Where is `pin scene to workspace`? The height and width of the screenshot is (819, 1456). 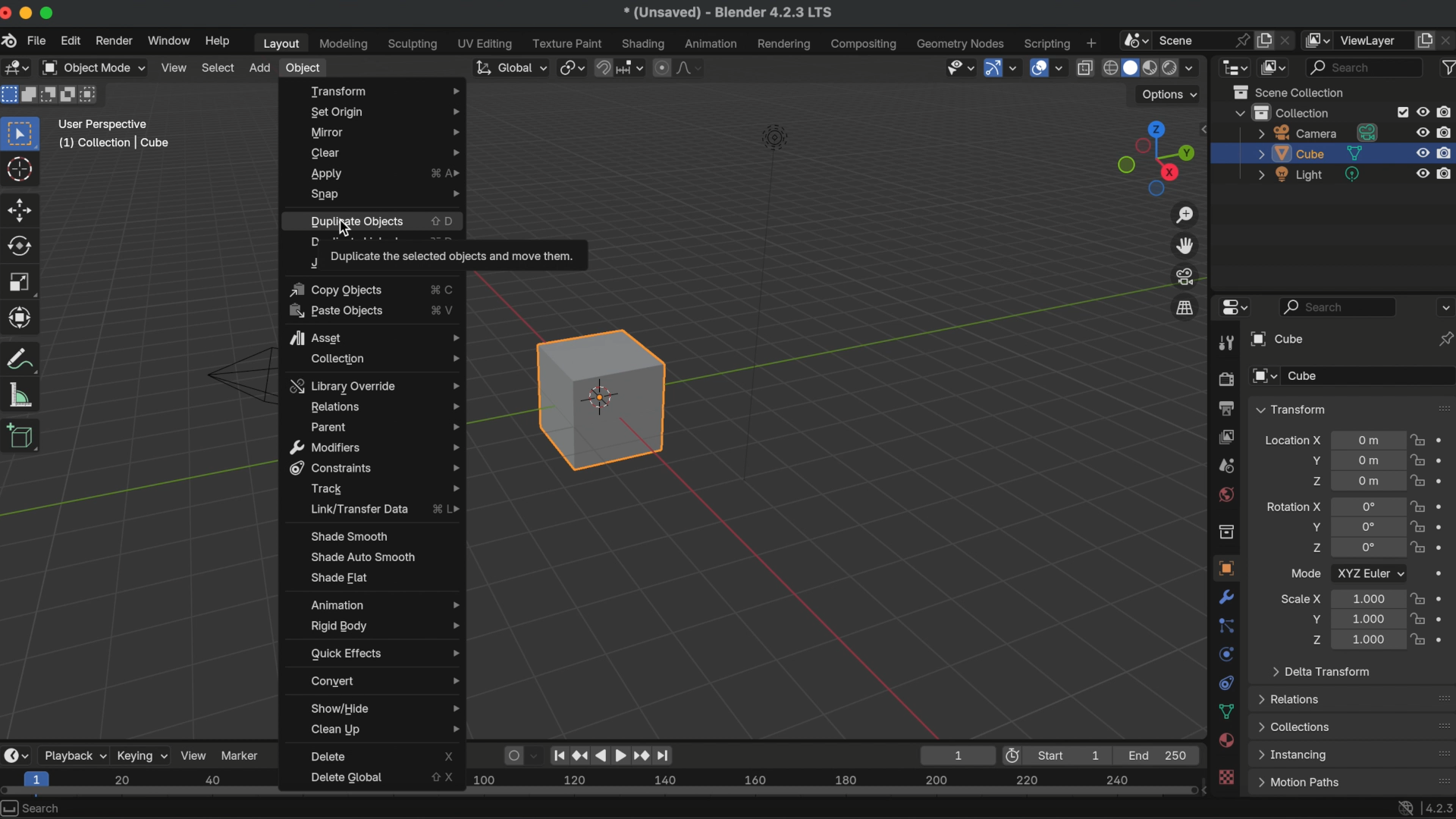 pin scene to workspace is located at coordinates (1241, 38).